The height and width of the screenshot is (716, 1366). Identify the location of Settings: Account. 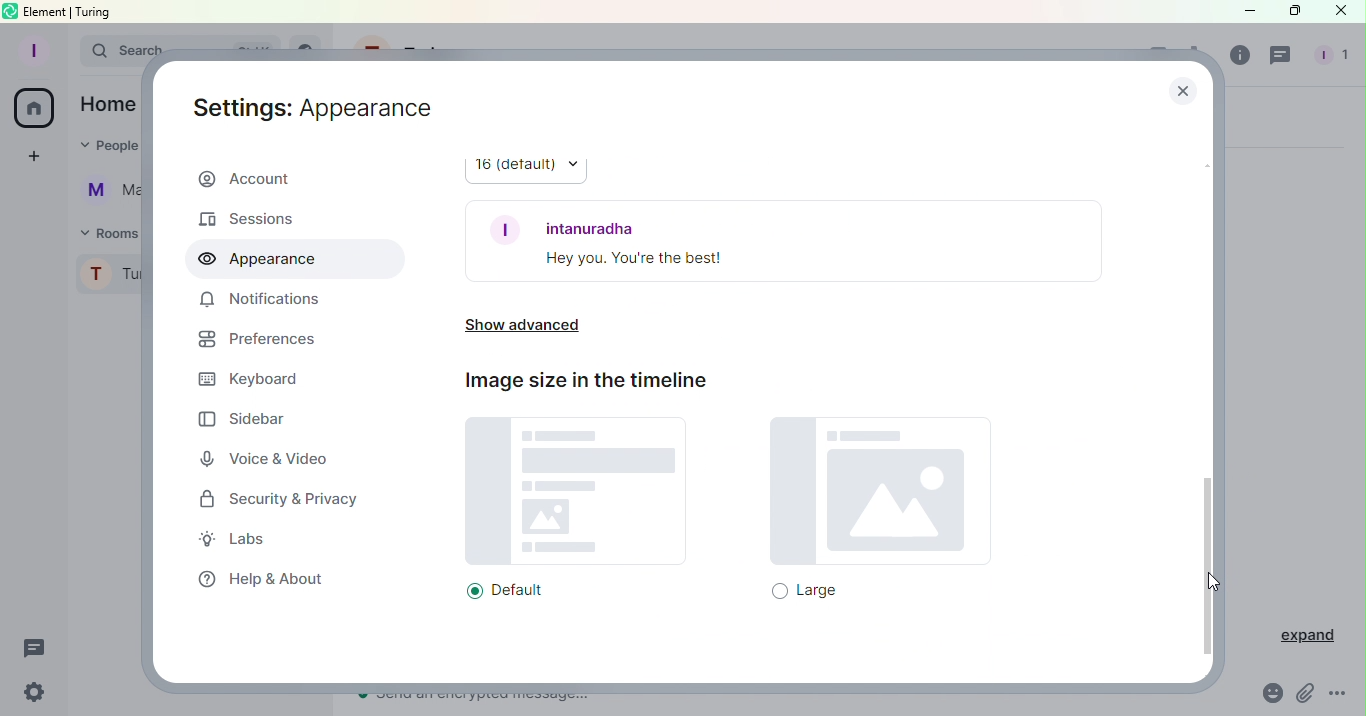
(317, 103).